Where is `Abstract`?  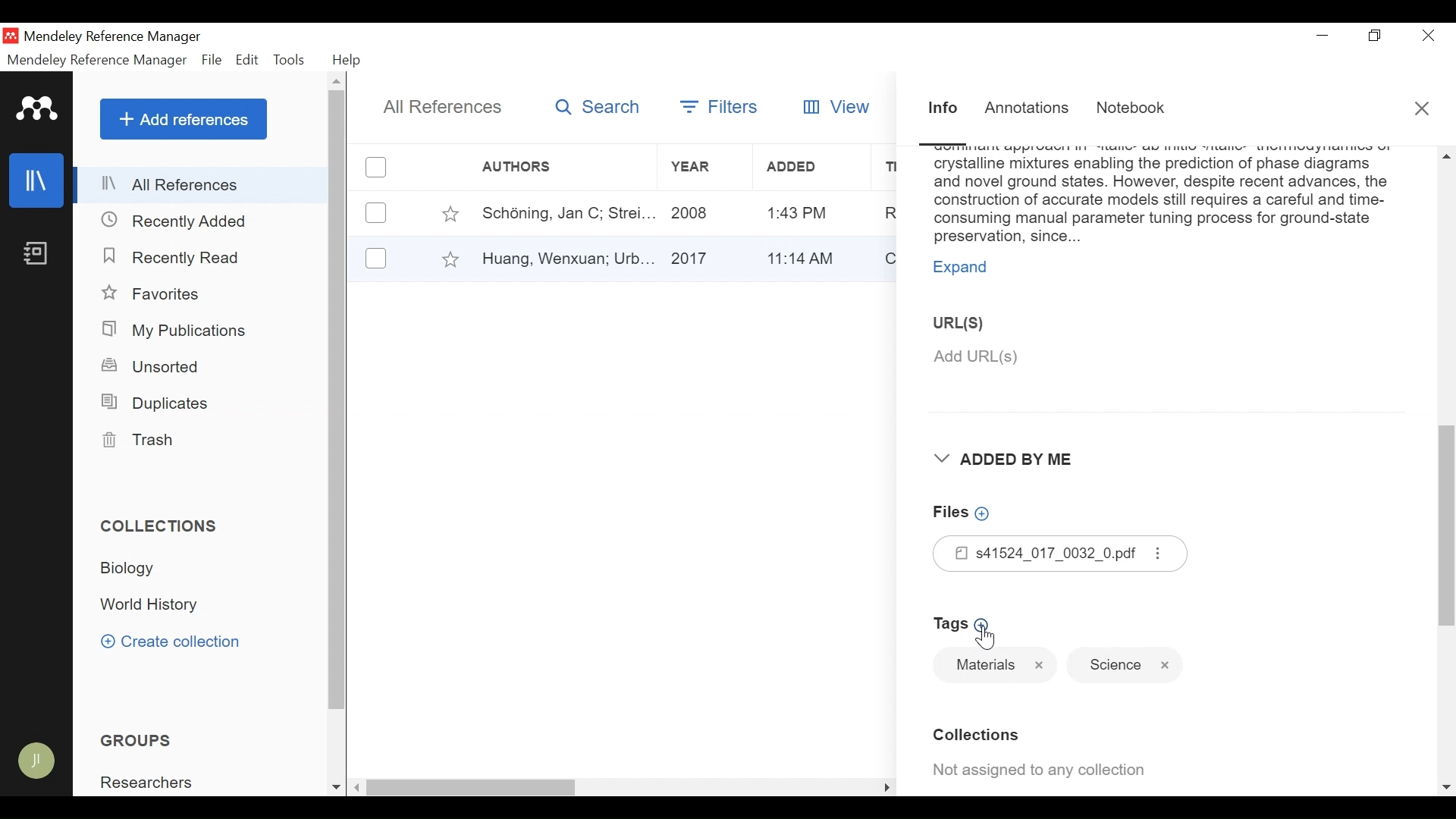
Abstract is located at coordinates (1162, 197).